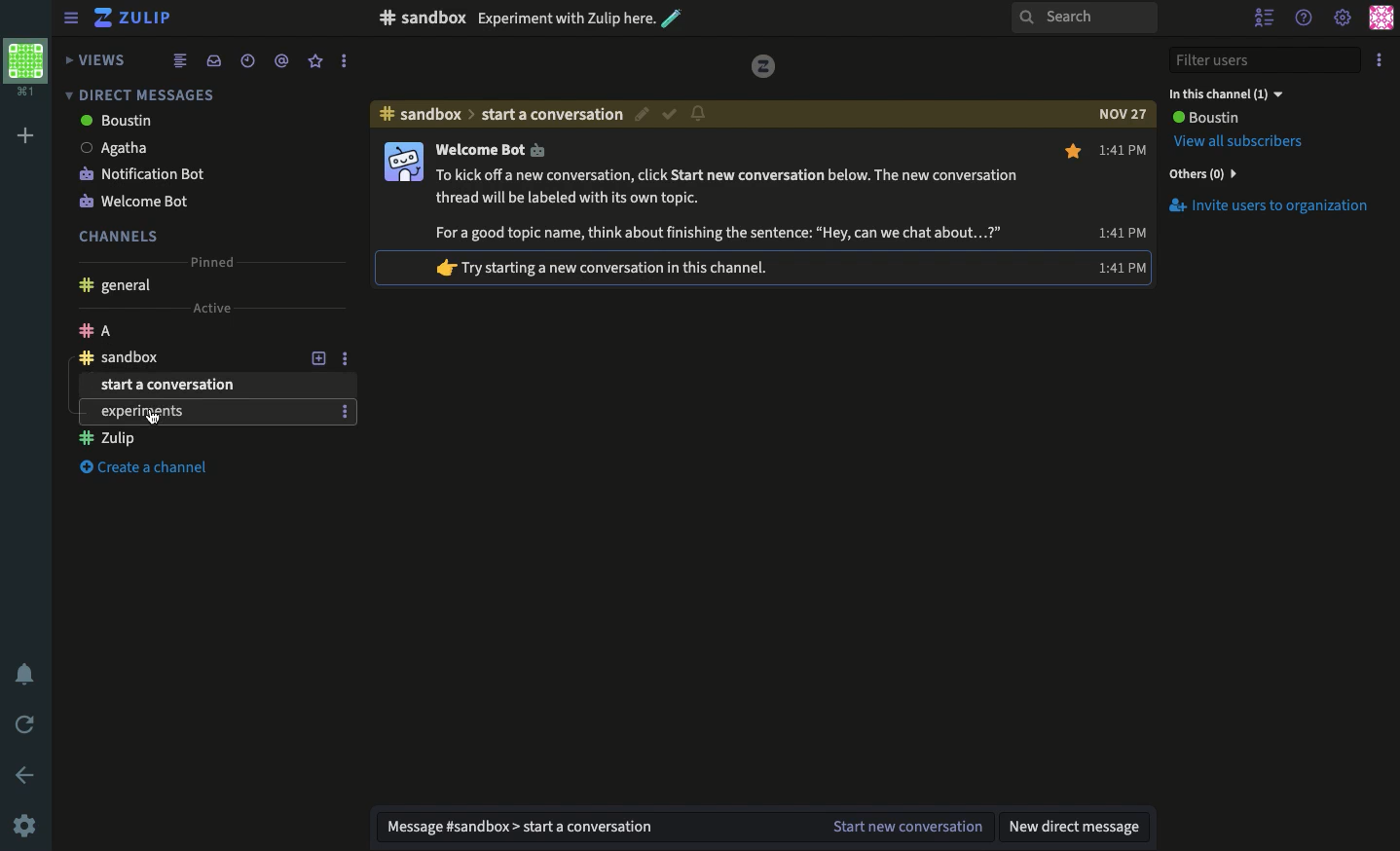  What do you see at coordinates (154, 415) in the screenshot?
I see `Click` at bounding box center [154, 415].